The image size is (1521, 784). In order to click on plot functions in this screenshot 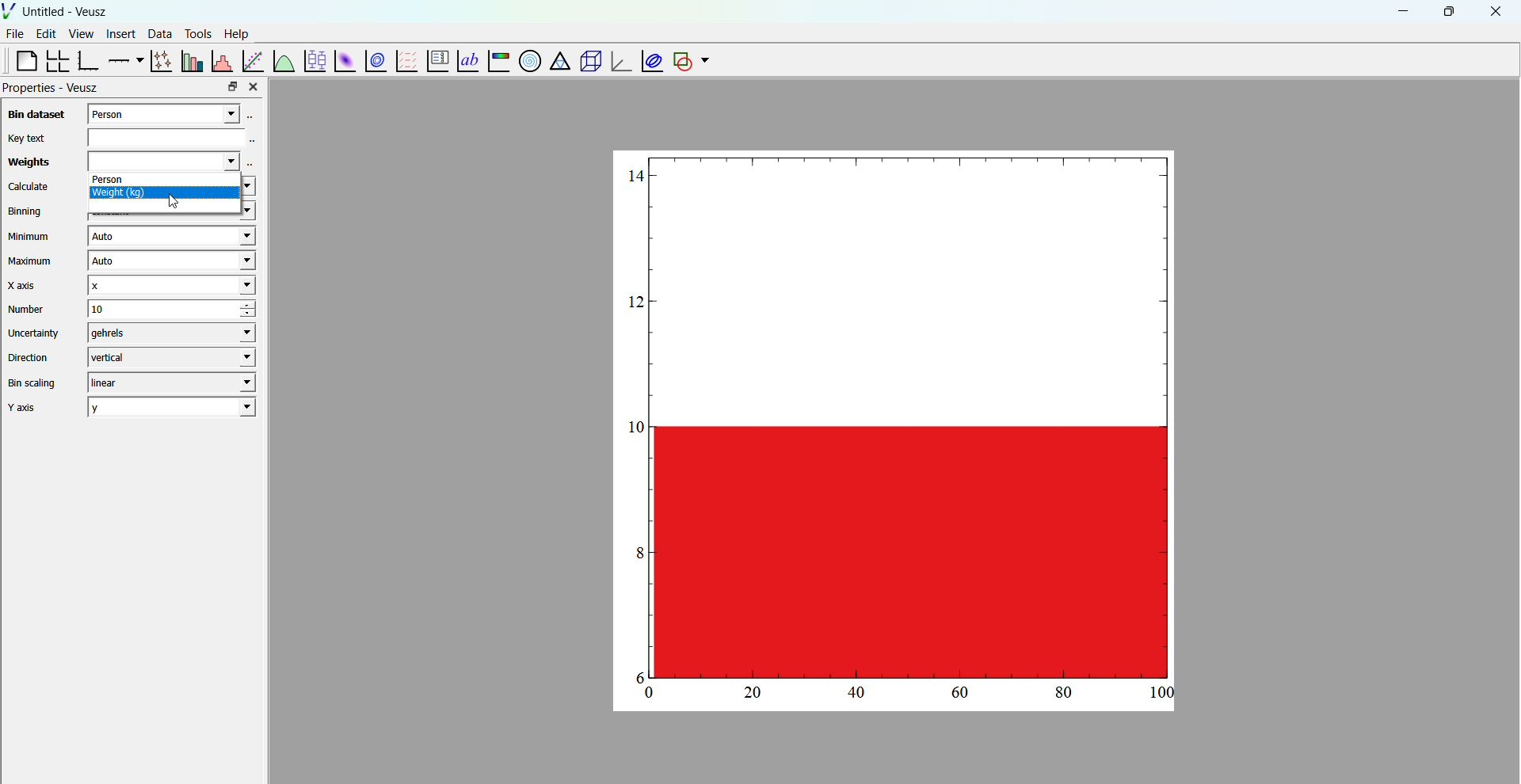, I will do `click(283, 60)`.